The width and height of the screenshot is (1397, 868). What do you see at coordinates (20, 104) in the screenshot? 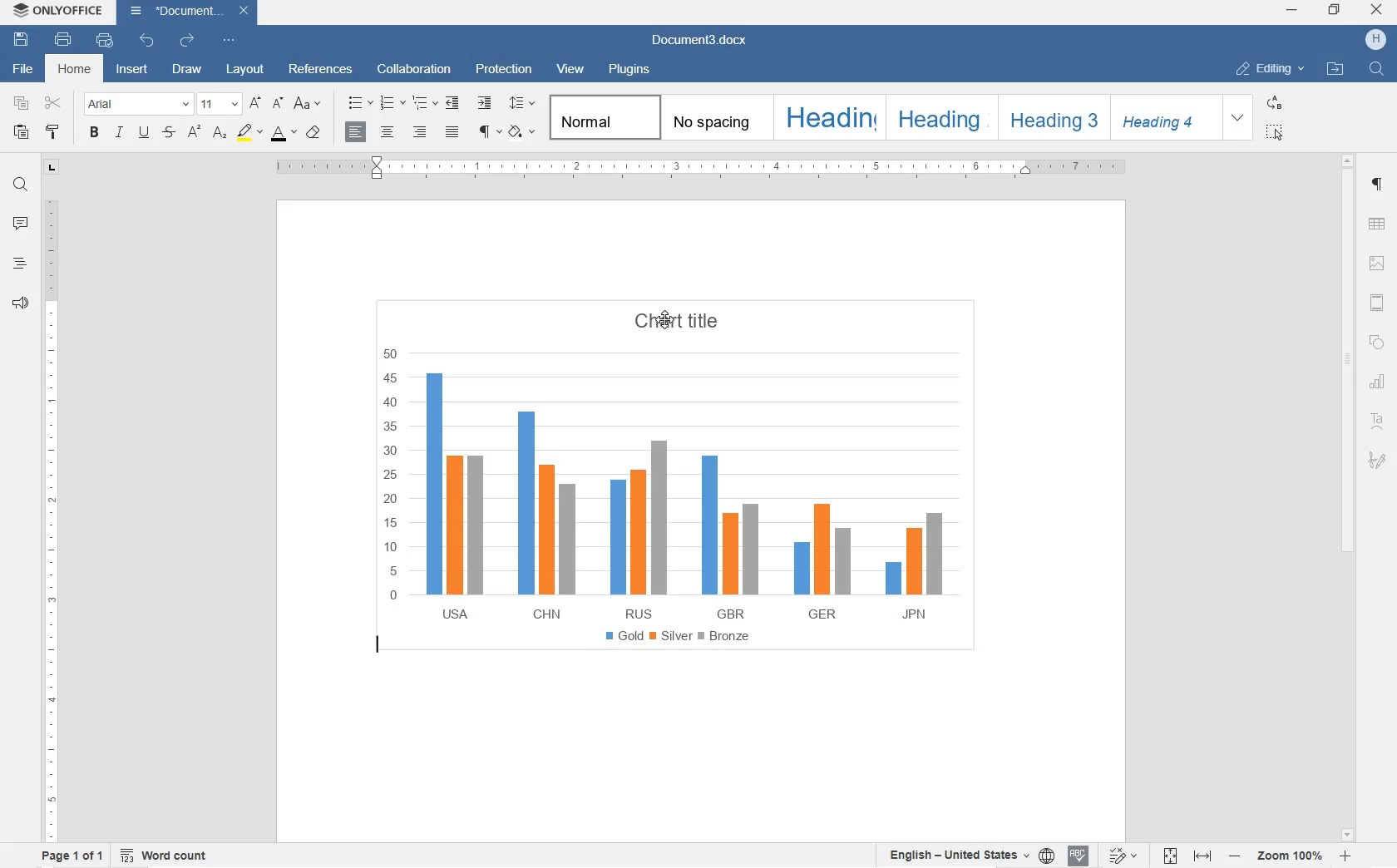
I see `COPY` at bounding box center [20, 104].